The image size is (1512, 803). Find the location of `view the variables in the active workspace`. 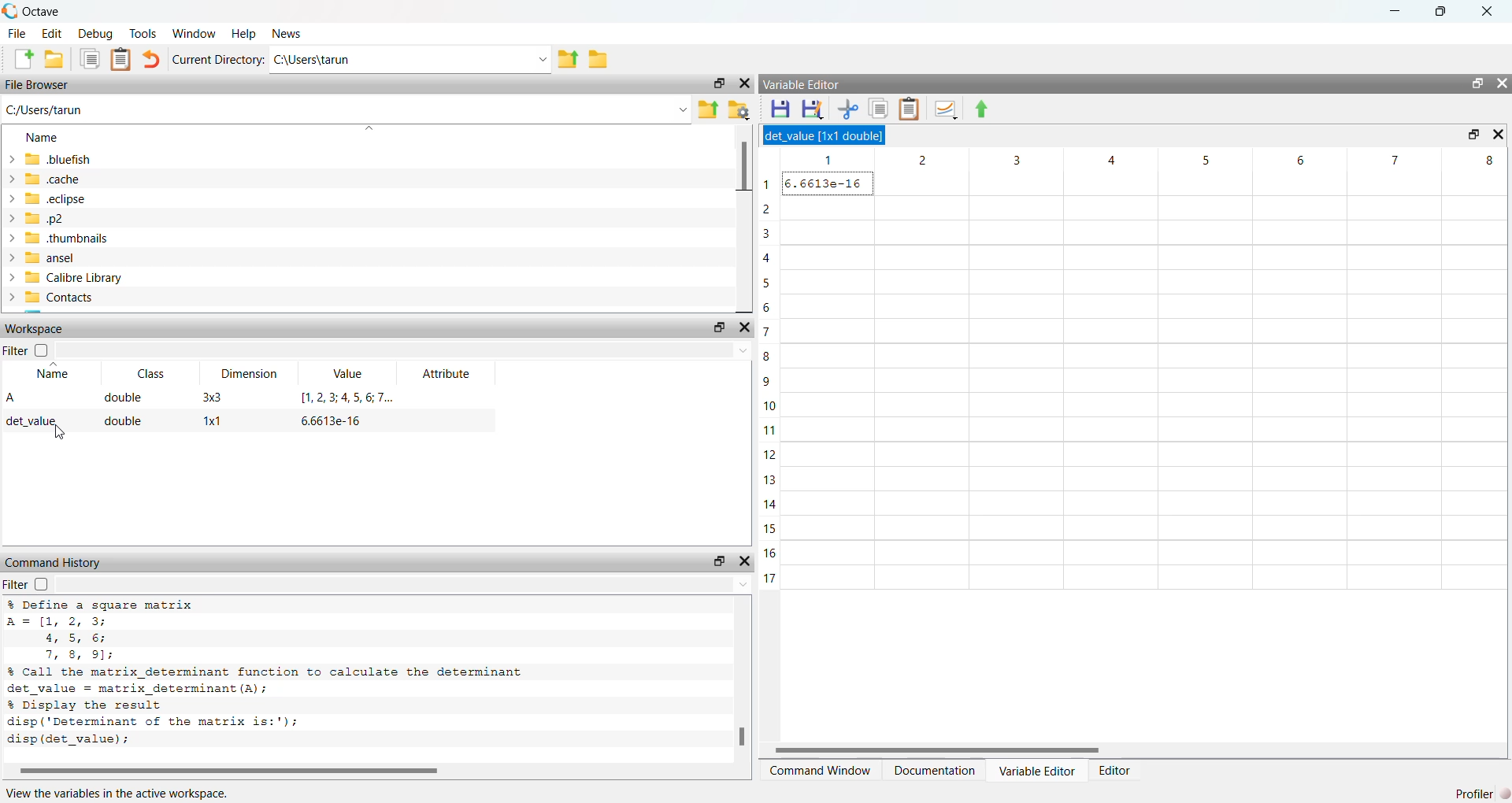

view the variables in the active workspace is located at coordinates (135, 791).